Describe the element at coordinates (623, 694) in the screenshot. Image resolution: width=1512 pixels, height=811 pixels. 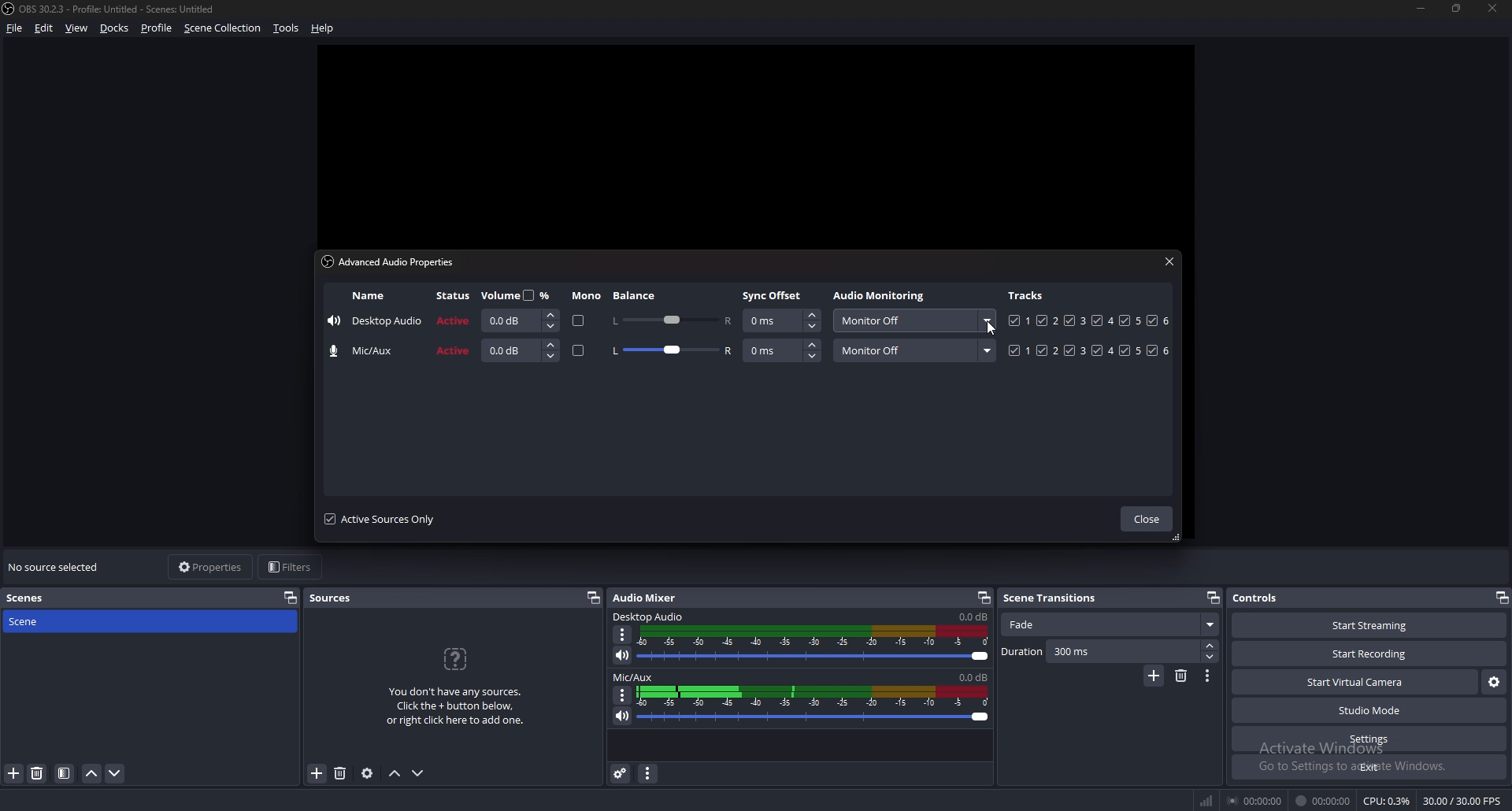
I see `options` at that location.